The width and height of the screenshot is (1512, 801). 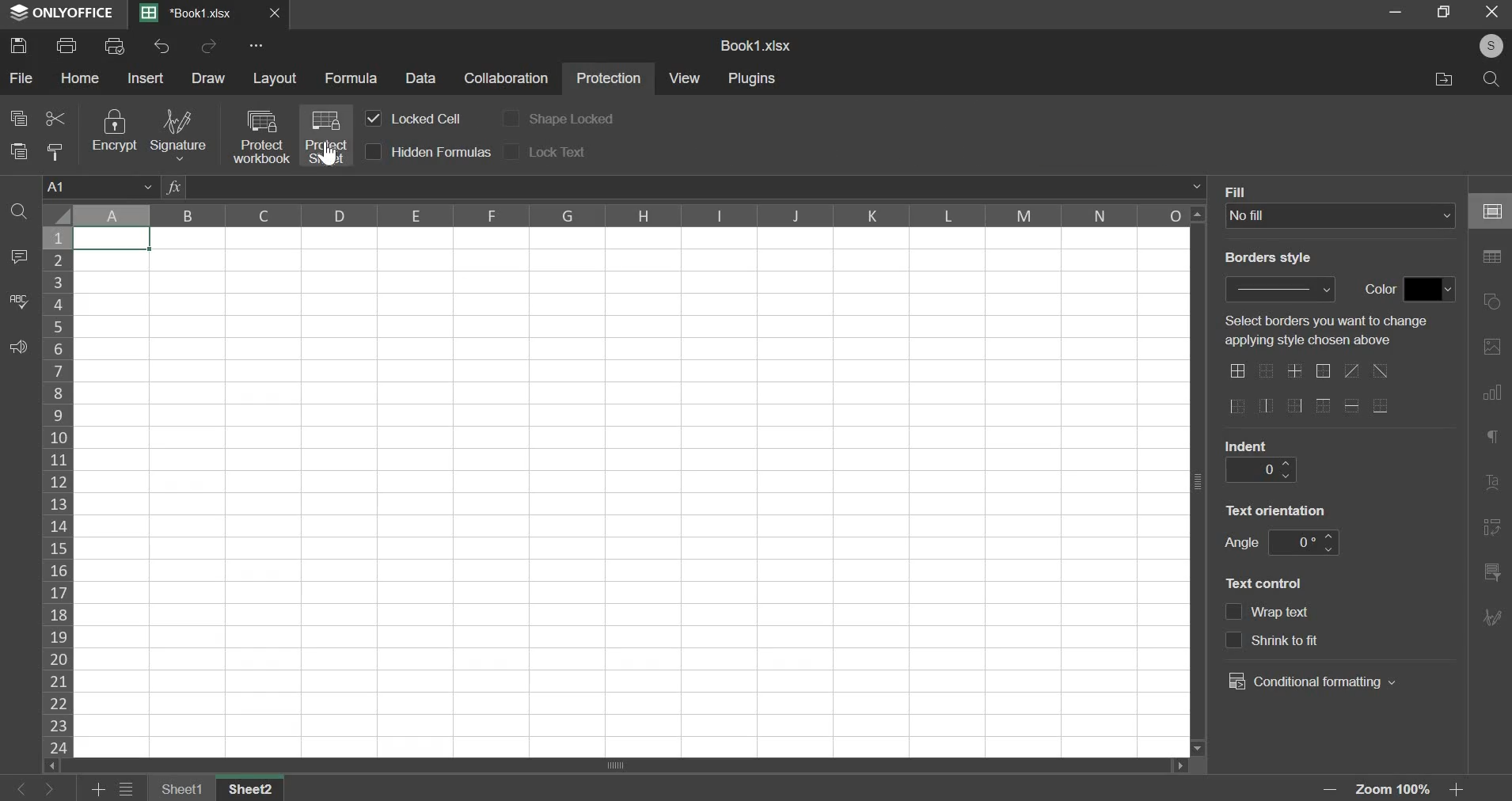 I want to click on fill type, so click(x=1341, y=216).